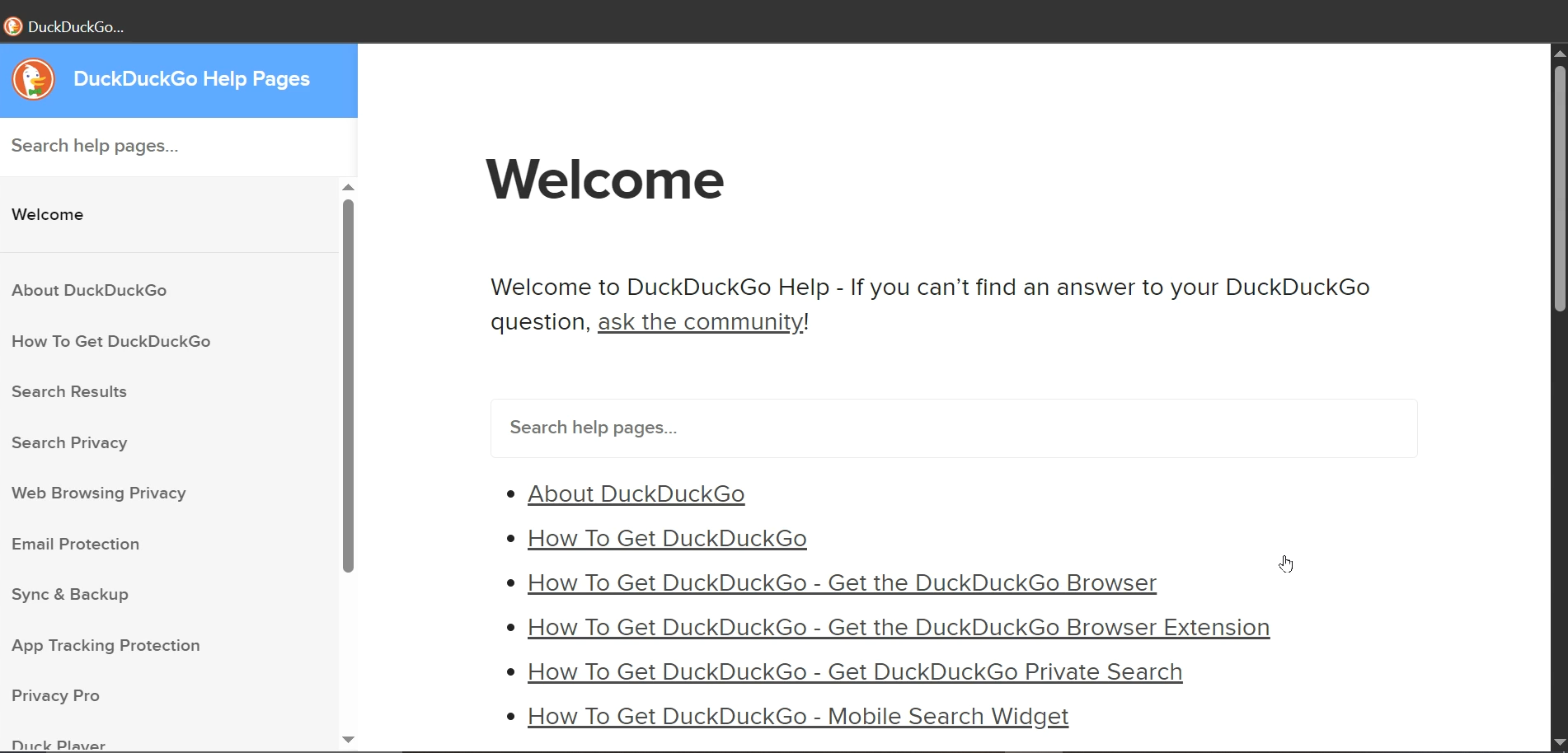  What do you see at coordinates (70, 392) in the screenshot?
I see `Search Results` at bounding box center [70, 392].